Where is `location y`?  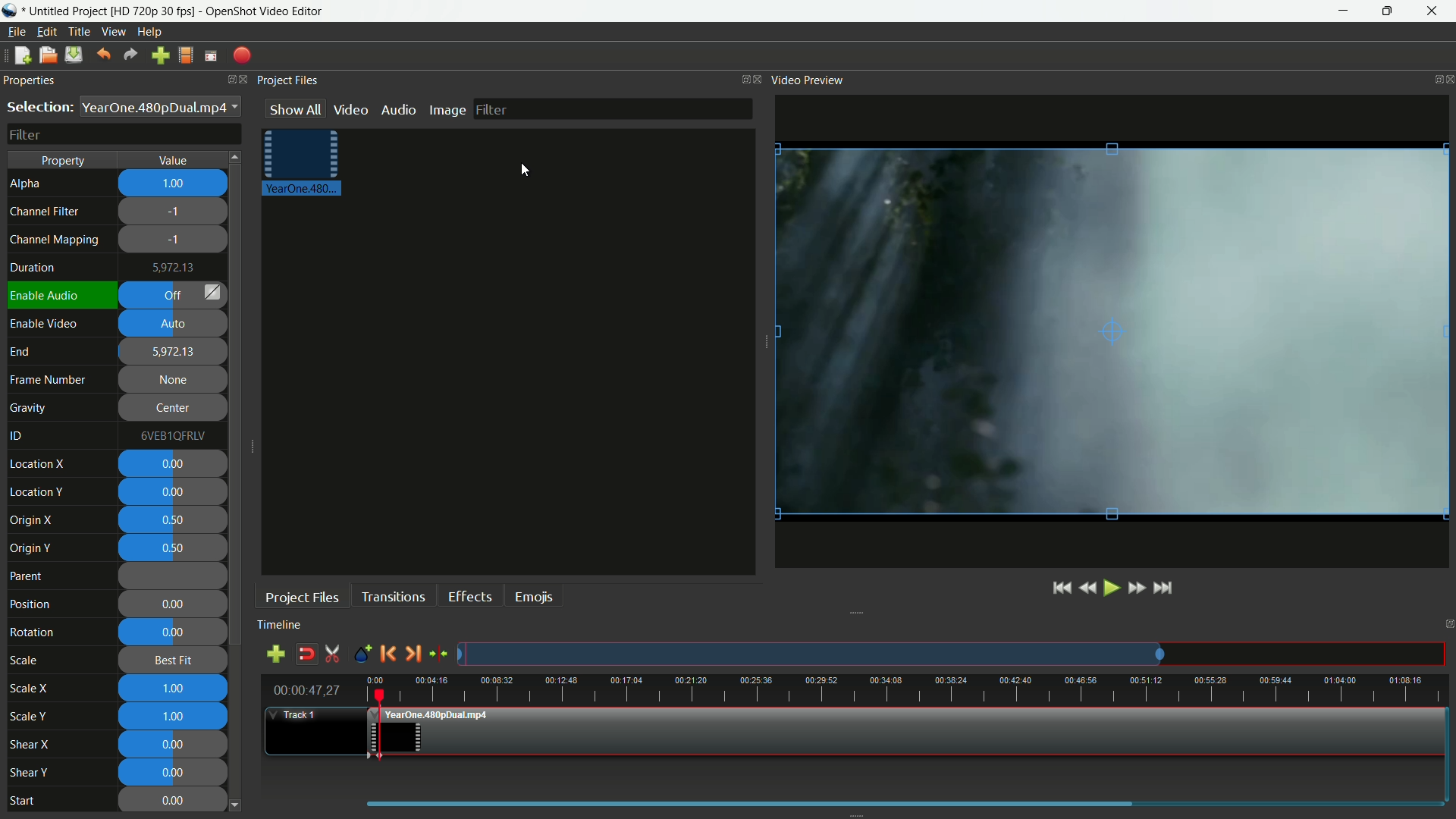 location y is located at coordinates (37, 491).